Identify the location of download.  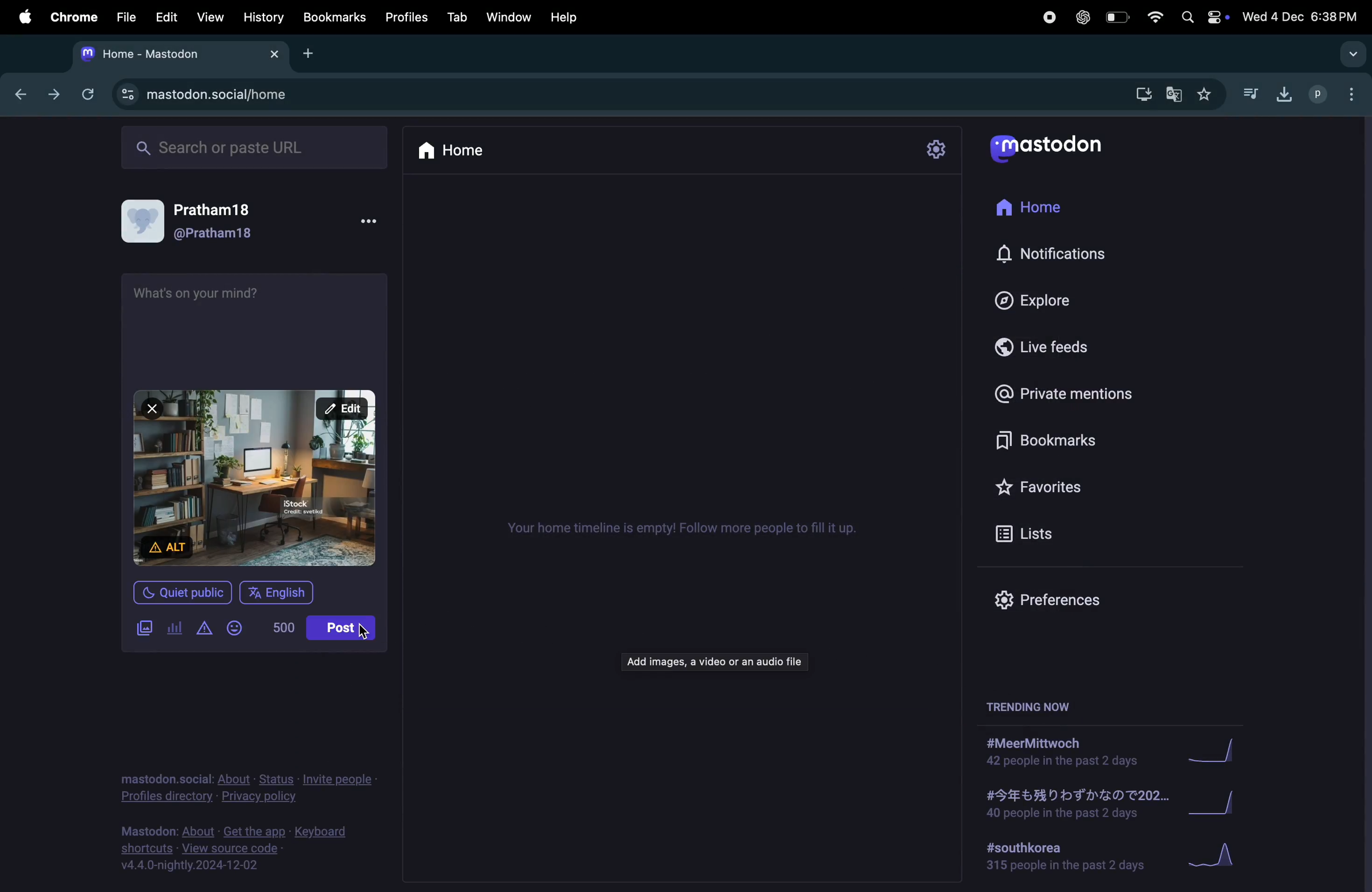
(1280, 92).